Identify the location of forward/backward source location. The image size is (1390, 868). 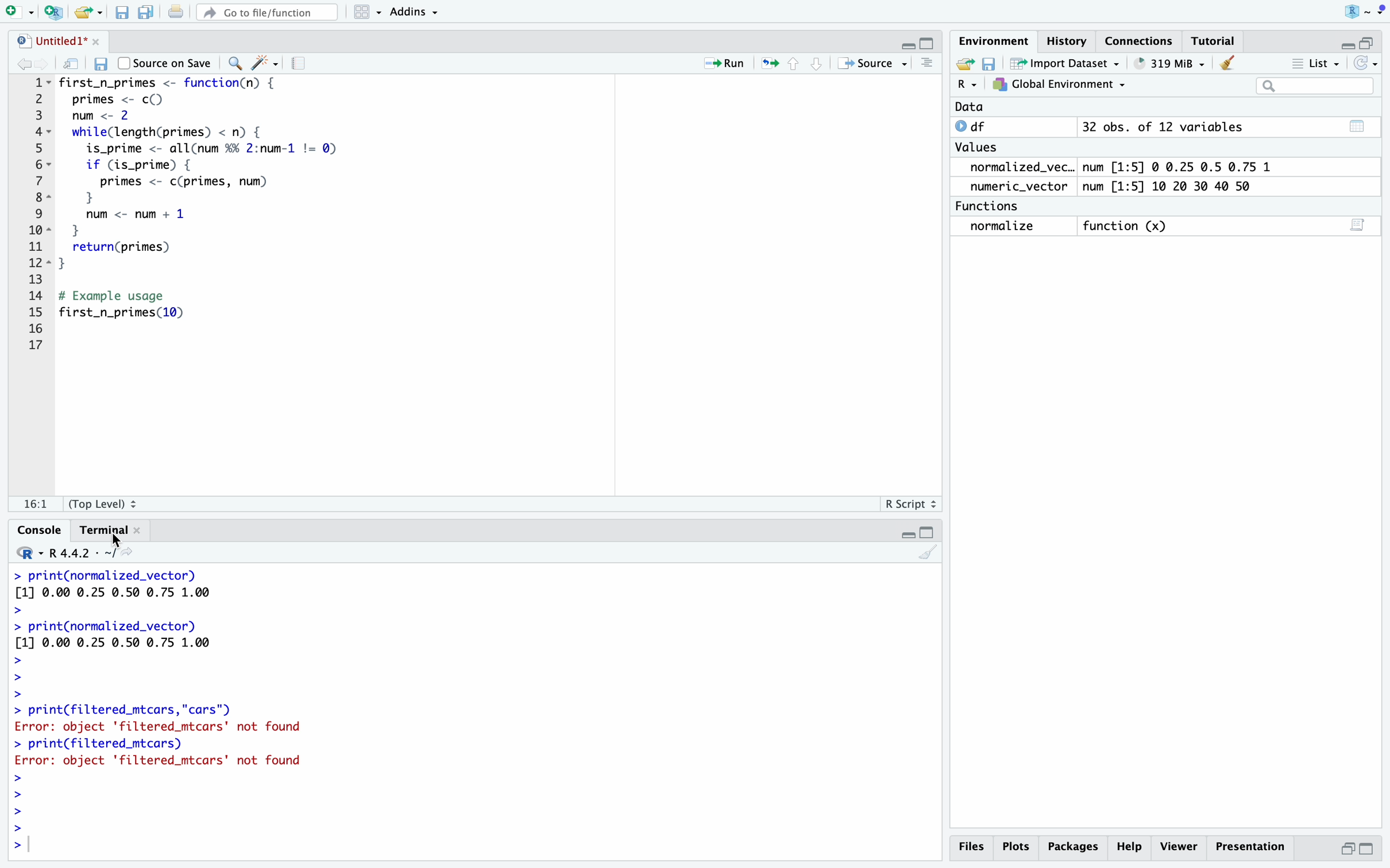
(29, 63).